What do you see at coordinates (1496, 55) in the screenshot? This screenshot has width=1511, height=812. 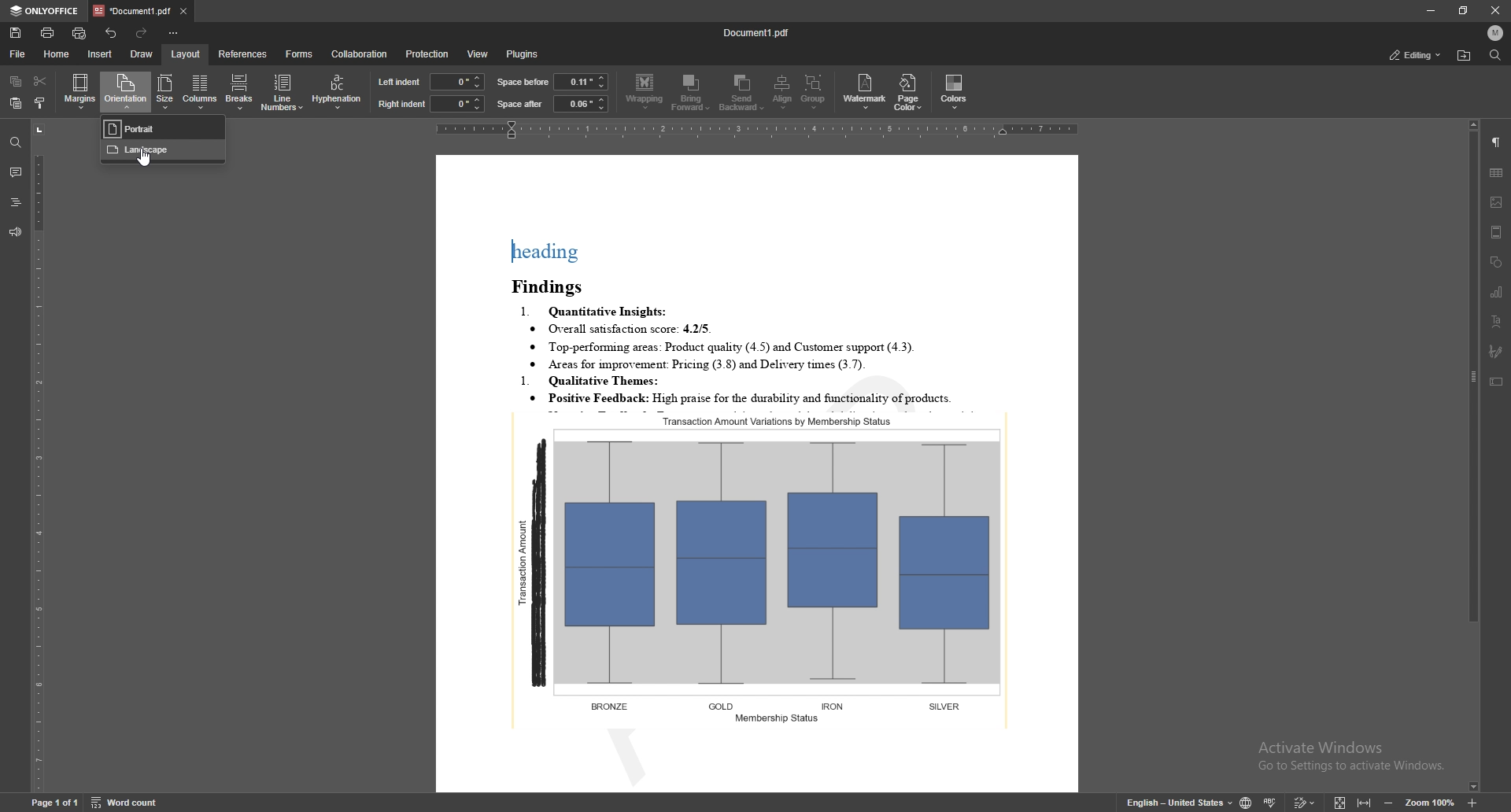 I see `find` at bounding box center [1496, 55].